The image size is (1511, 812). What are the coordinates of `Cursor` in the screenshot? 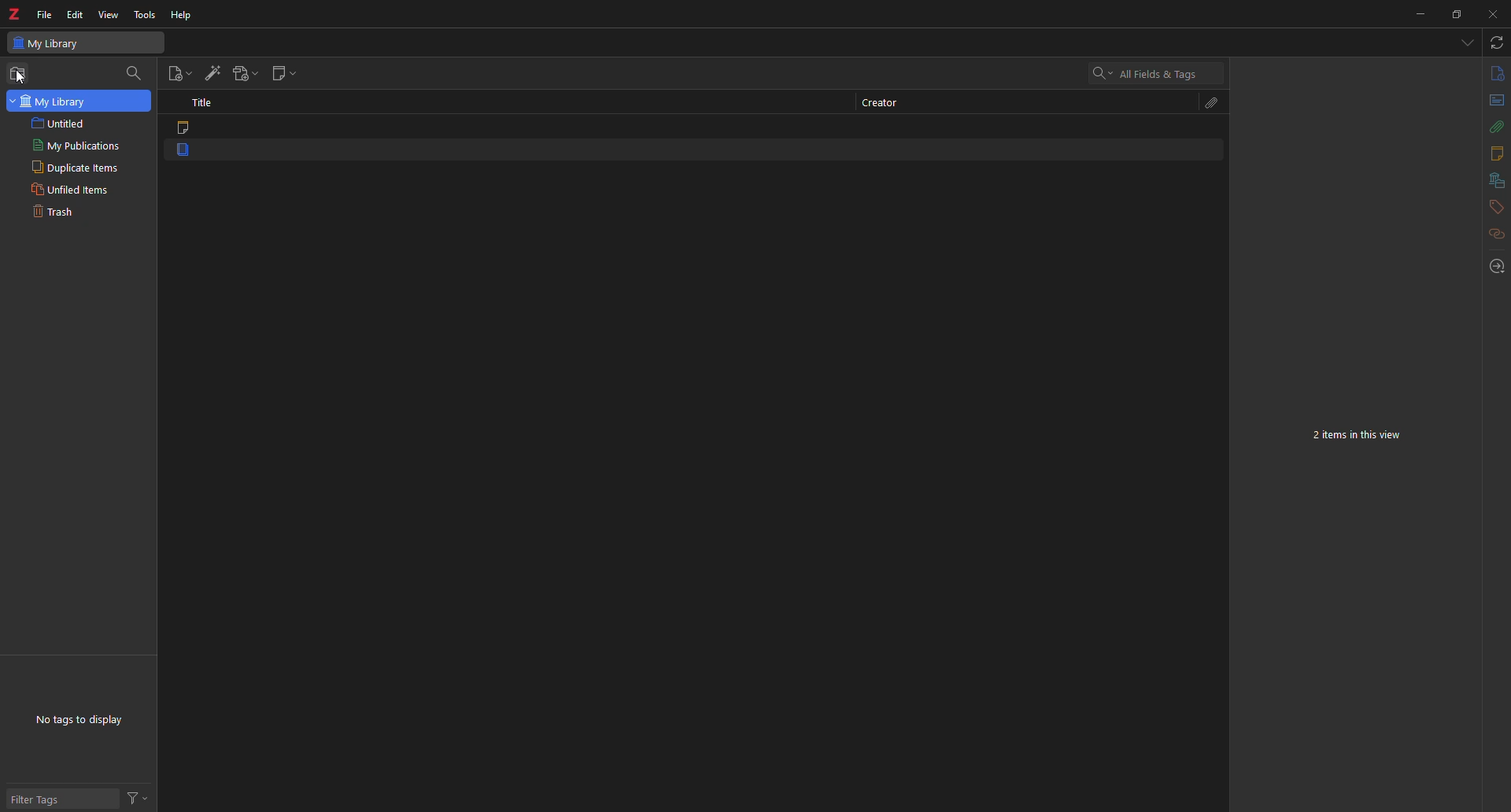 It's located at (20, 78).